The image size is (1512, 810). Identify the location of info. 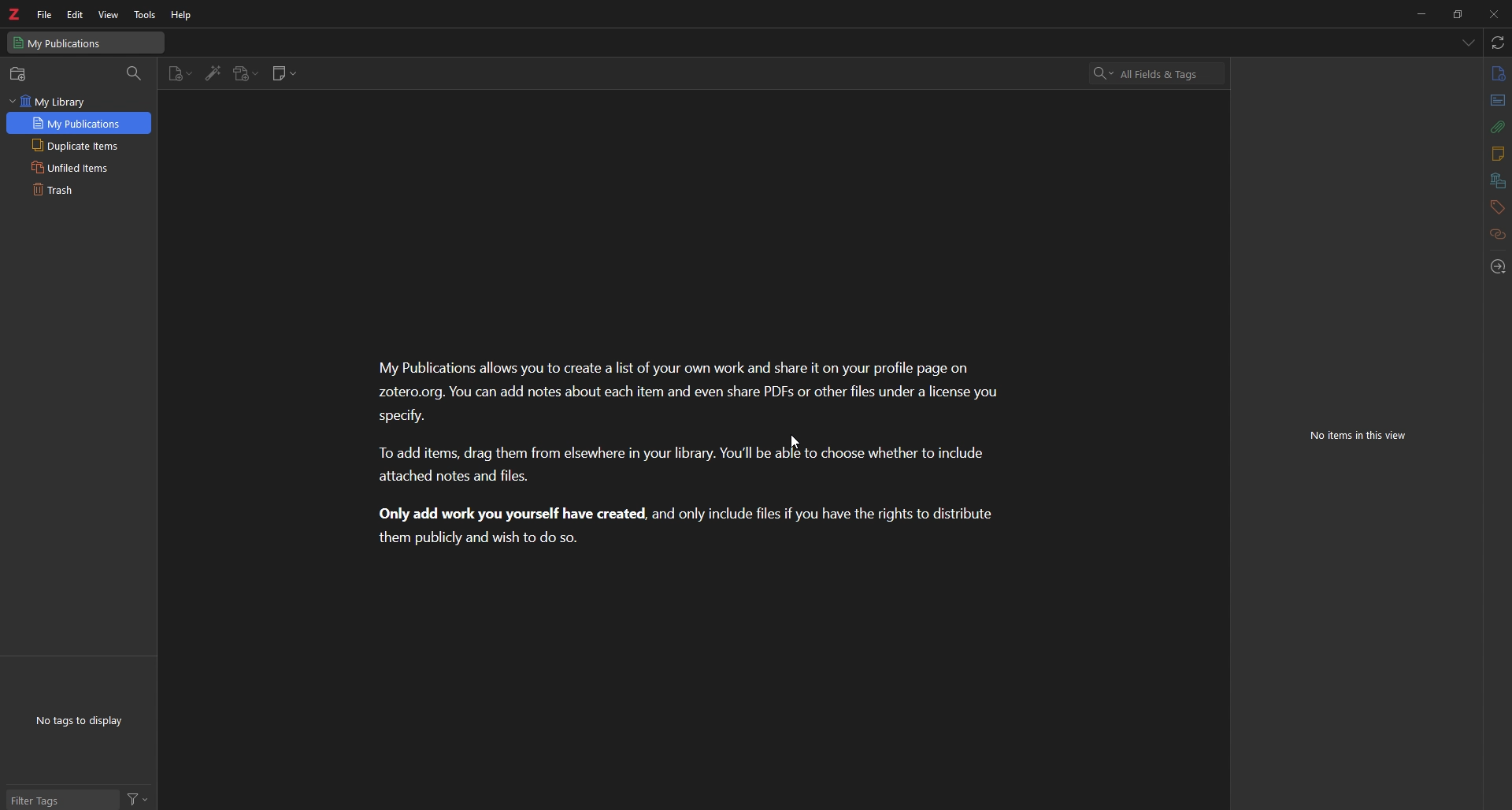
(1495, 75).